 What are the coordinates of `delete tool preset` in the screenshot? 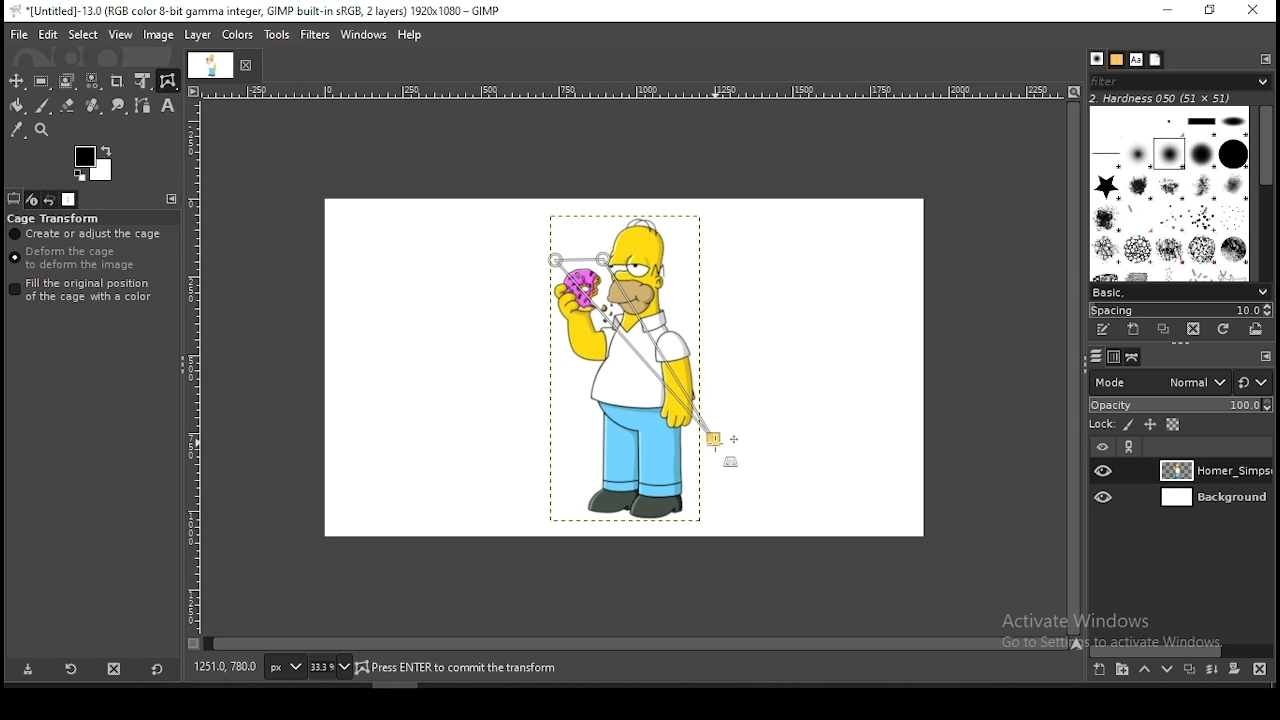 It's located at (116, 670).